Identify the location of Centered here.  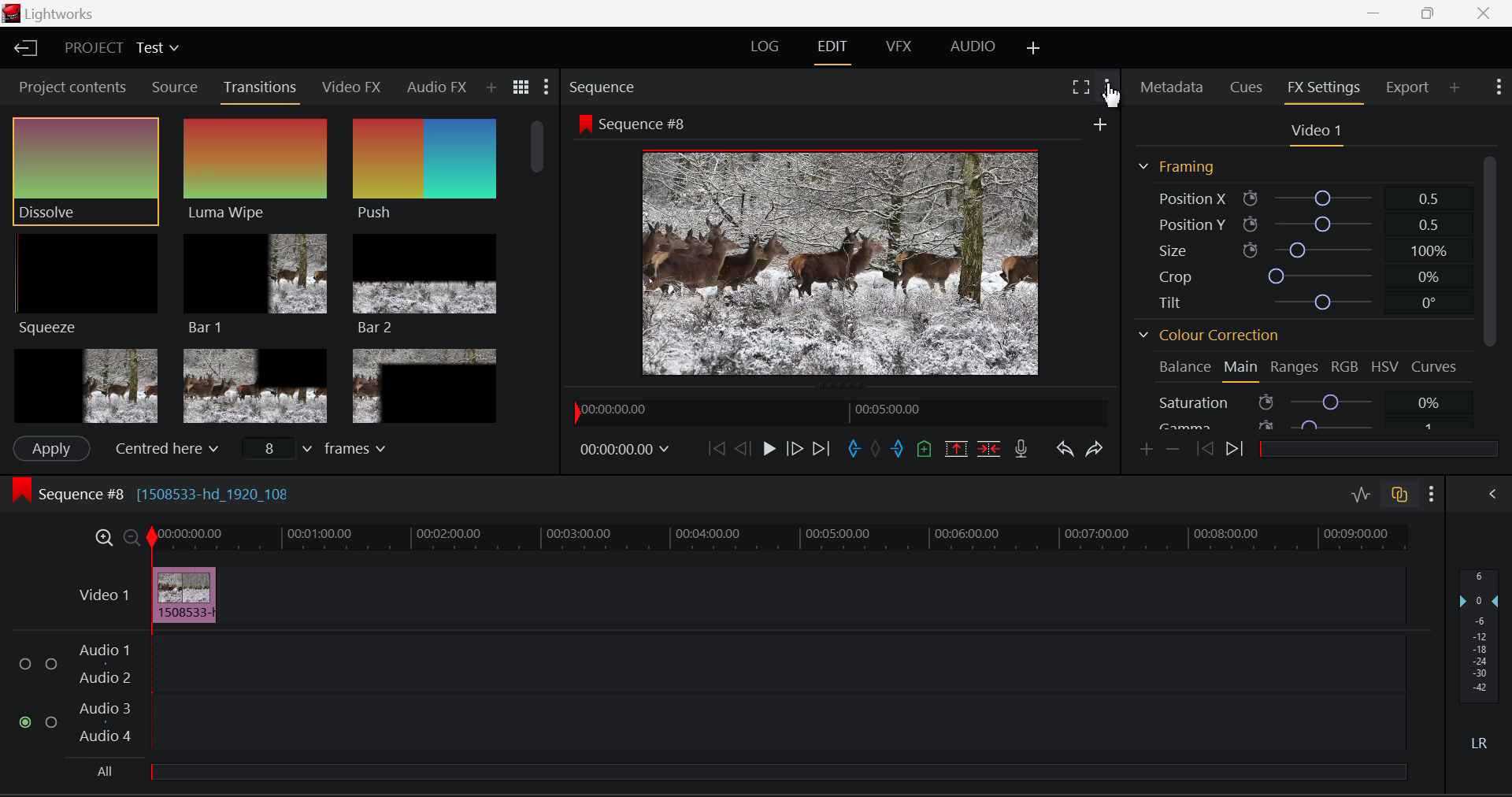
(164, 449).